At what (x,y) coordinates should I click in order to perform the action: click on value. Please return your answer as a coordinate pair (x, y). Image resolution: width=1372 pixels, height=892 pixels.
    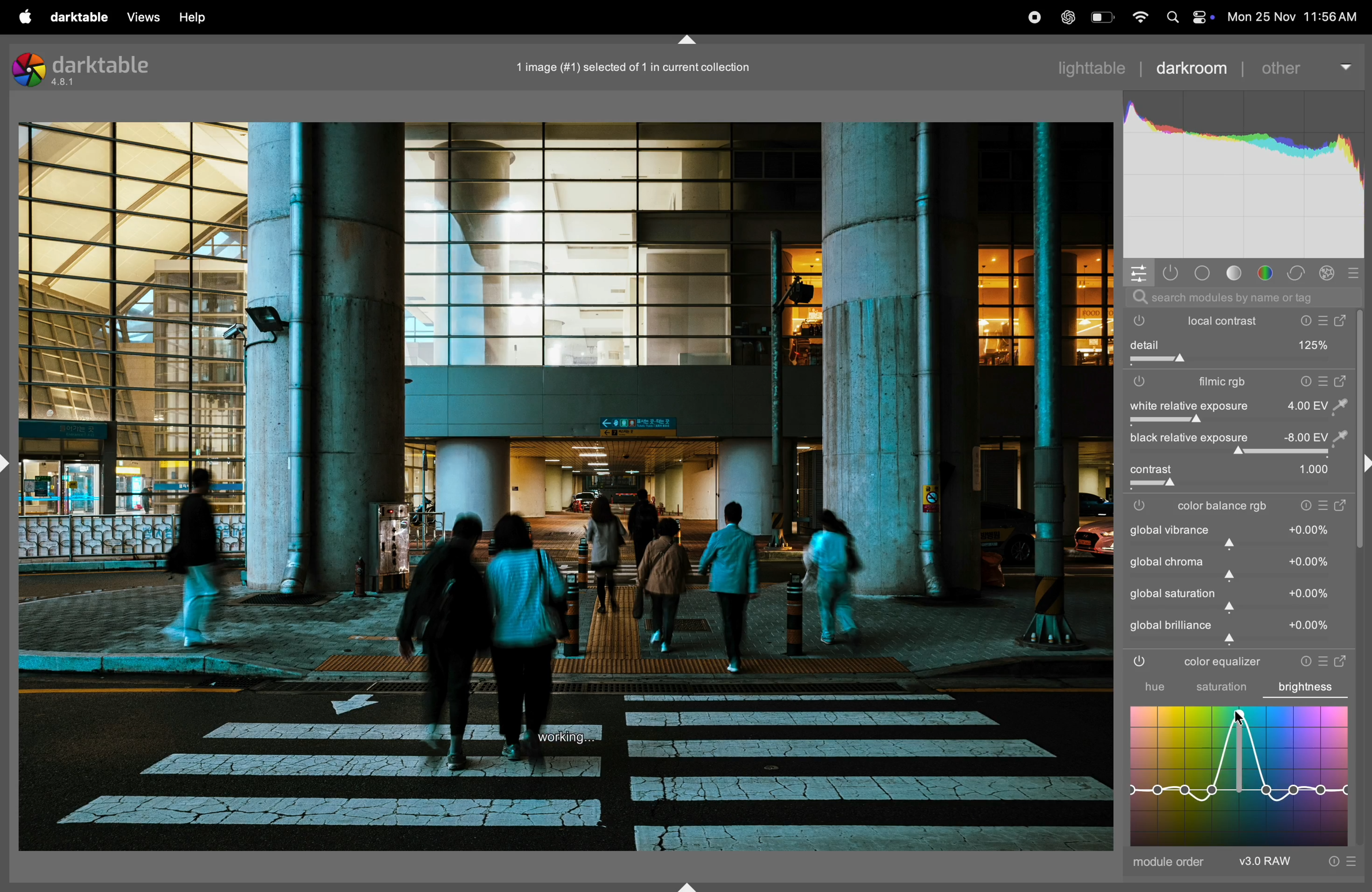
    Looking at the image, I should click on (1313, 470).